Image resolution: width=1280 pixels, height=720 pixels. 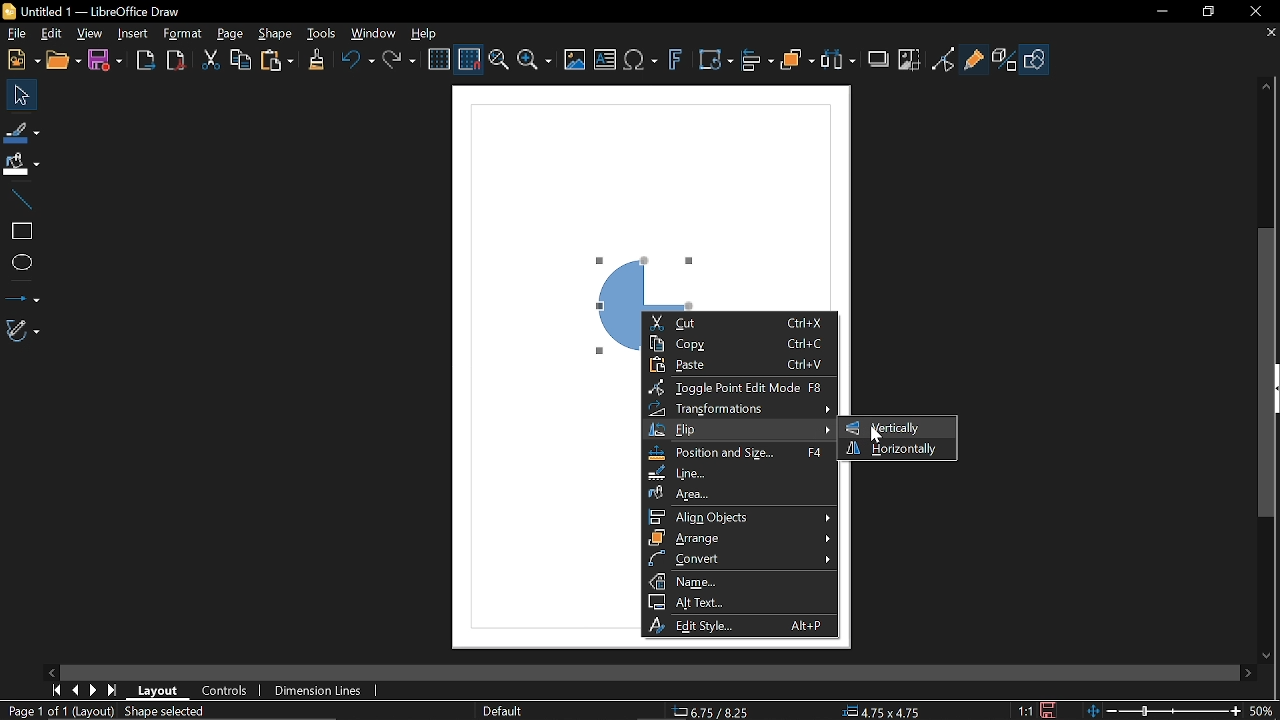 What do you see at coordinates (974, 58) in the screenshot?
I see `Glue` at bounding box center [974, 58].